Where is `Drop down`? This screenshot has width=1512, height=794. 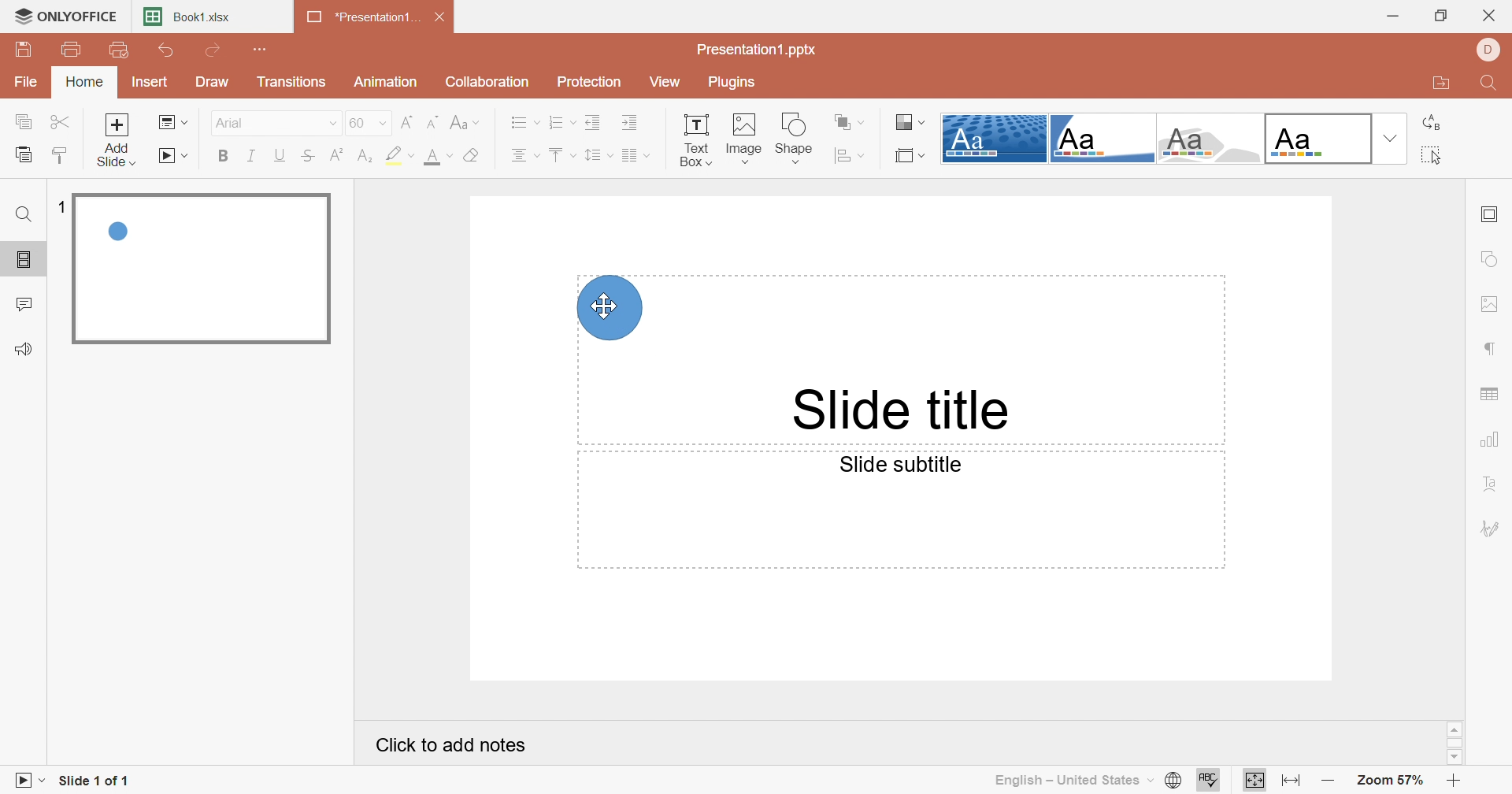 Drop down is located at coordinates (1388, 139).